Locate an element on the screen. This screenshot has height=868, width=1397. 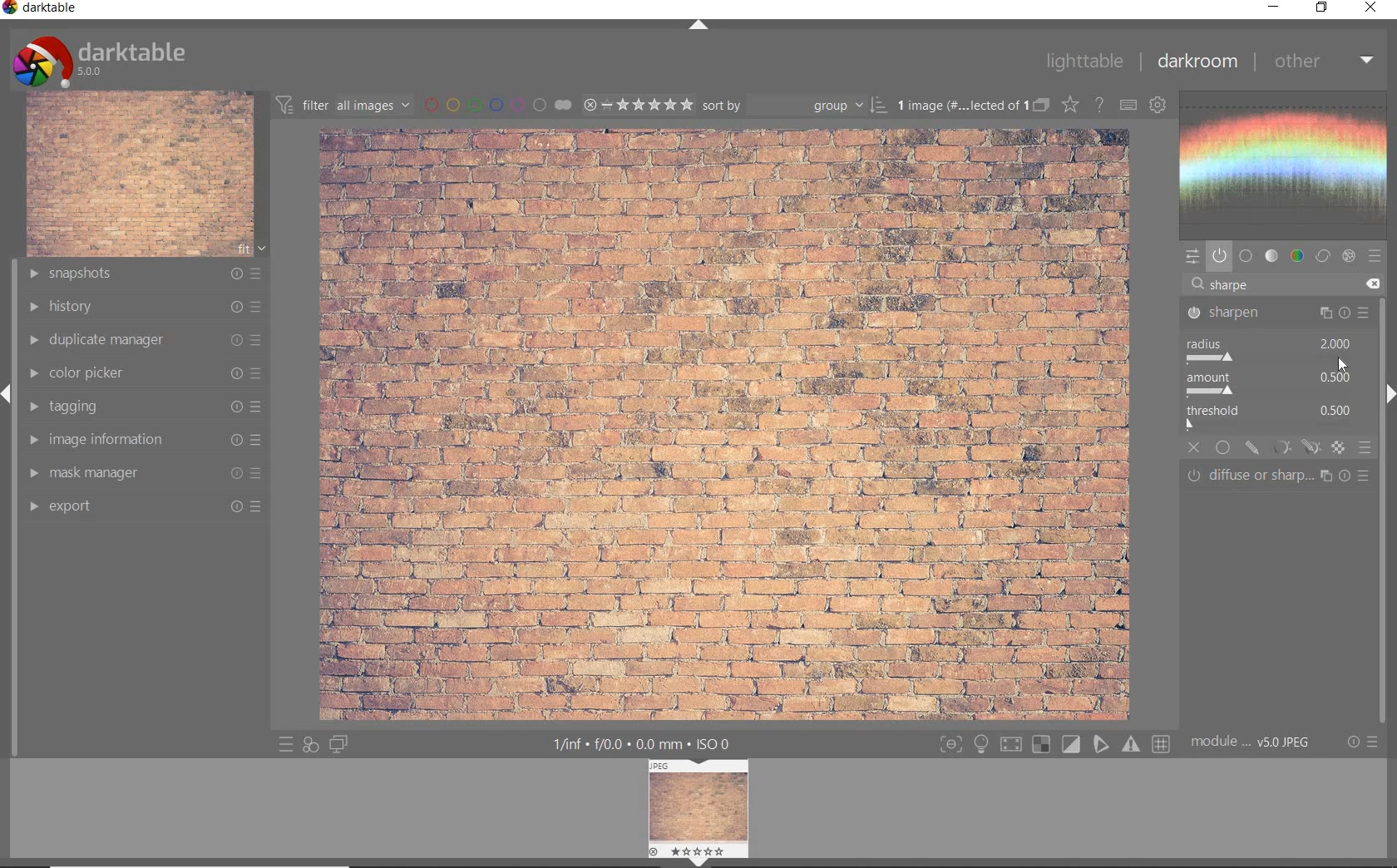
darkroom is located at coordinates (1197, 62).